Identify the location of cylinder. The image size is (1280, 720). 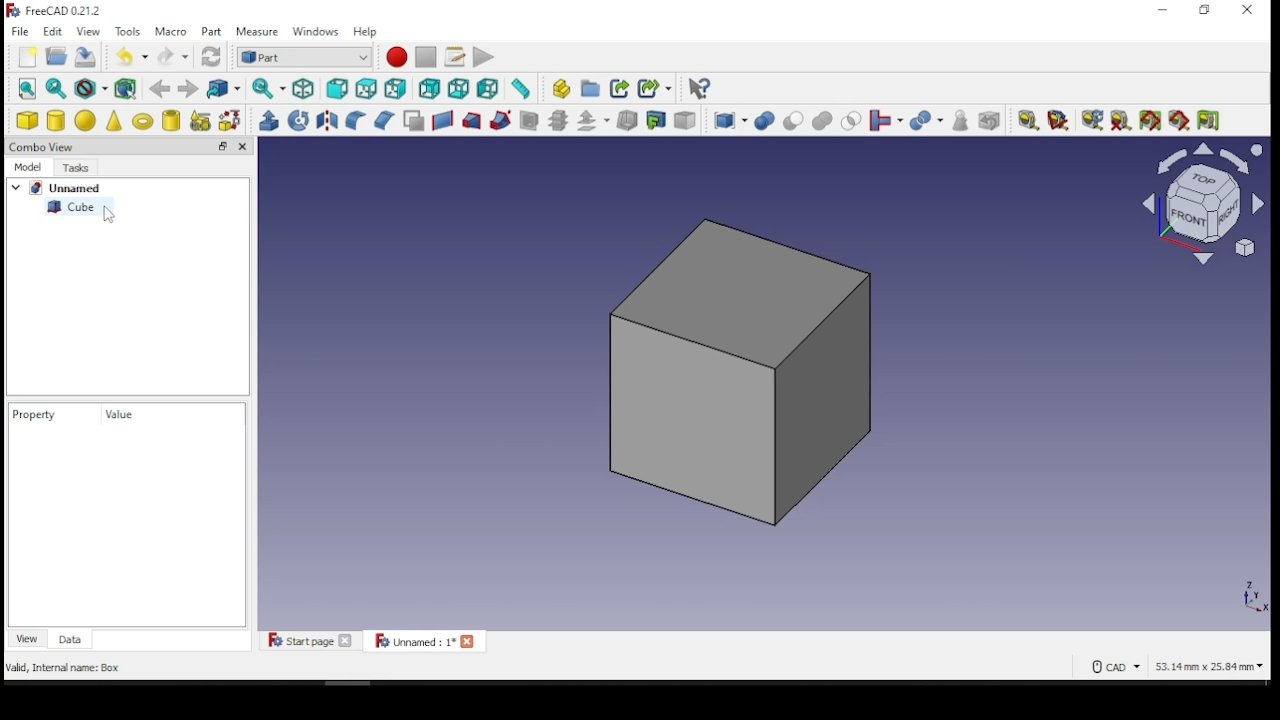
(56, 121).